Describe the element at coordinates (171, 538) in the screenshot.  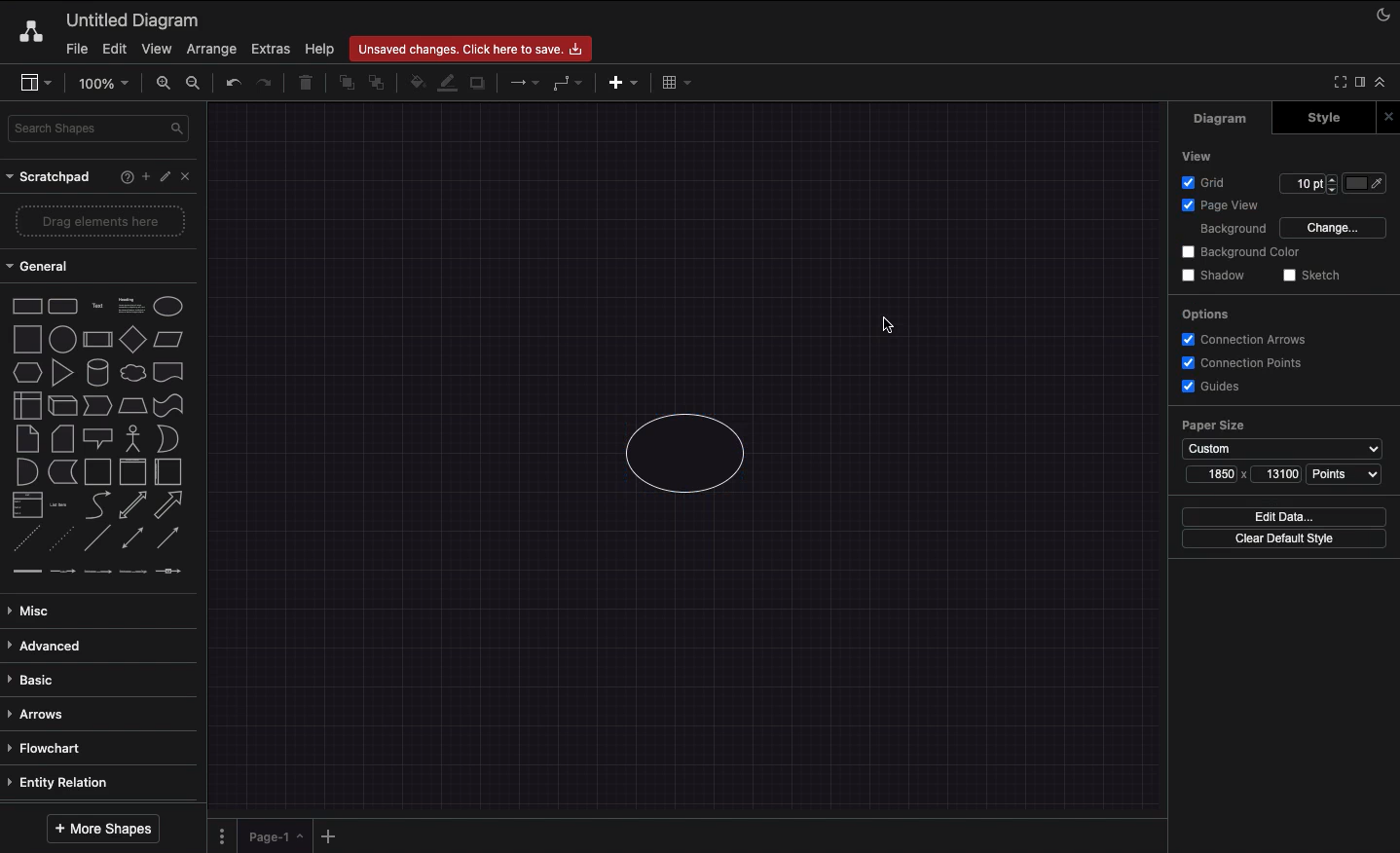
I see `Directional connector` at that location.